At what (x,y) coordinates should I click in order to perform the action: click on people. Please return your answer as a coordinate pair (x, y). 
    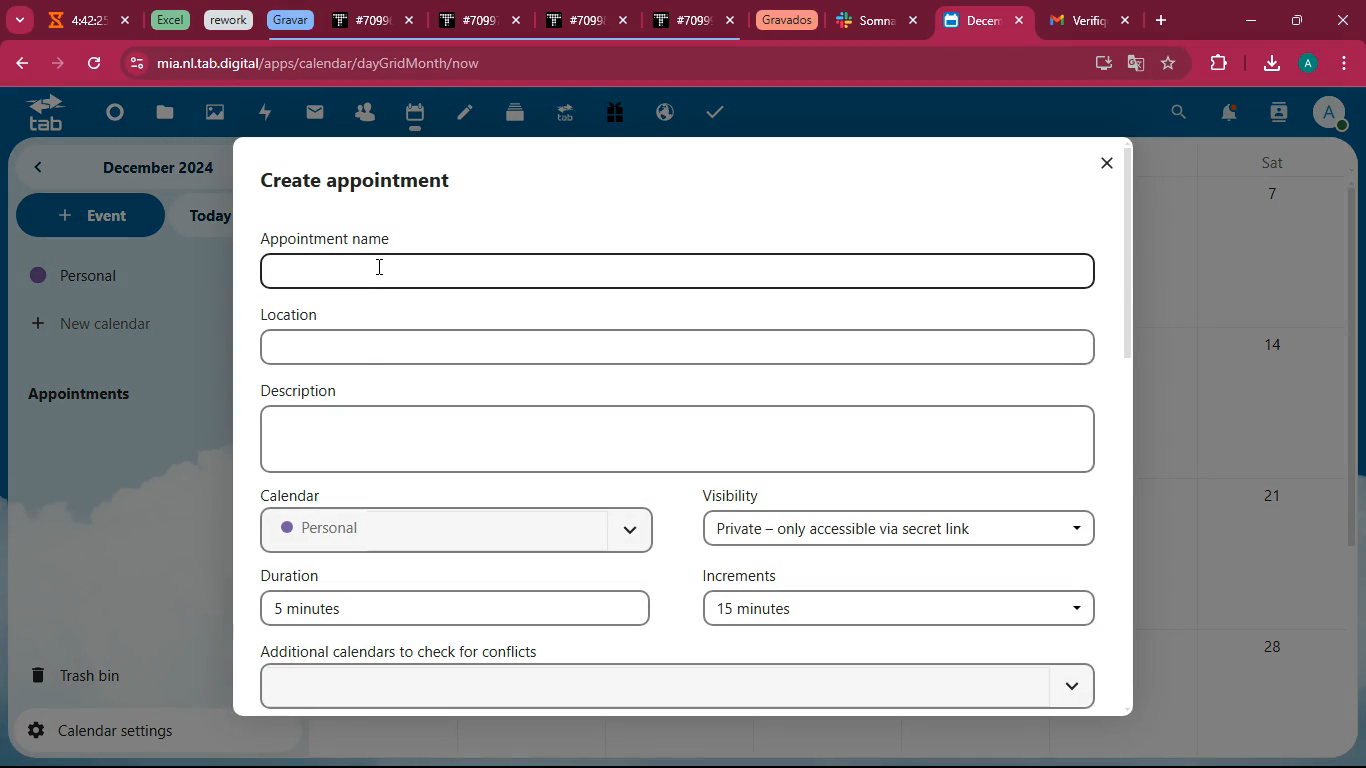
    Looking at the image, I should click on (364, 114).